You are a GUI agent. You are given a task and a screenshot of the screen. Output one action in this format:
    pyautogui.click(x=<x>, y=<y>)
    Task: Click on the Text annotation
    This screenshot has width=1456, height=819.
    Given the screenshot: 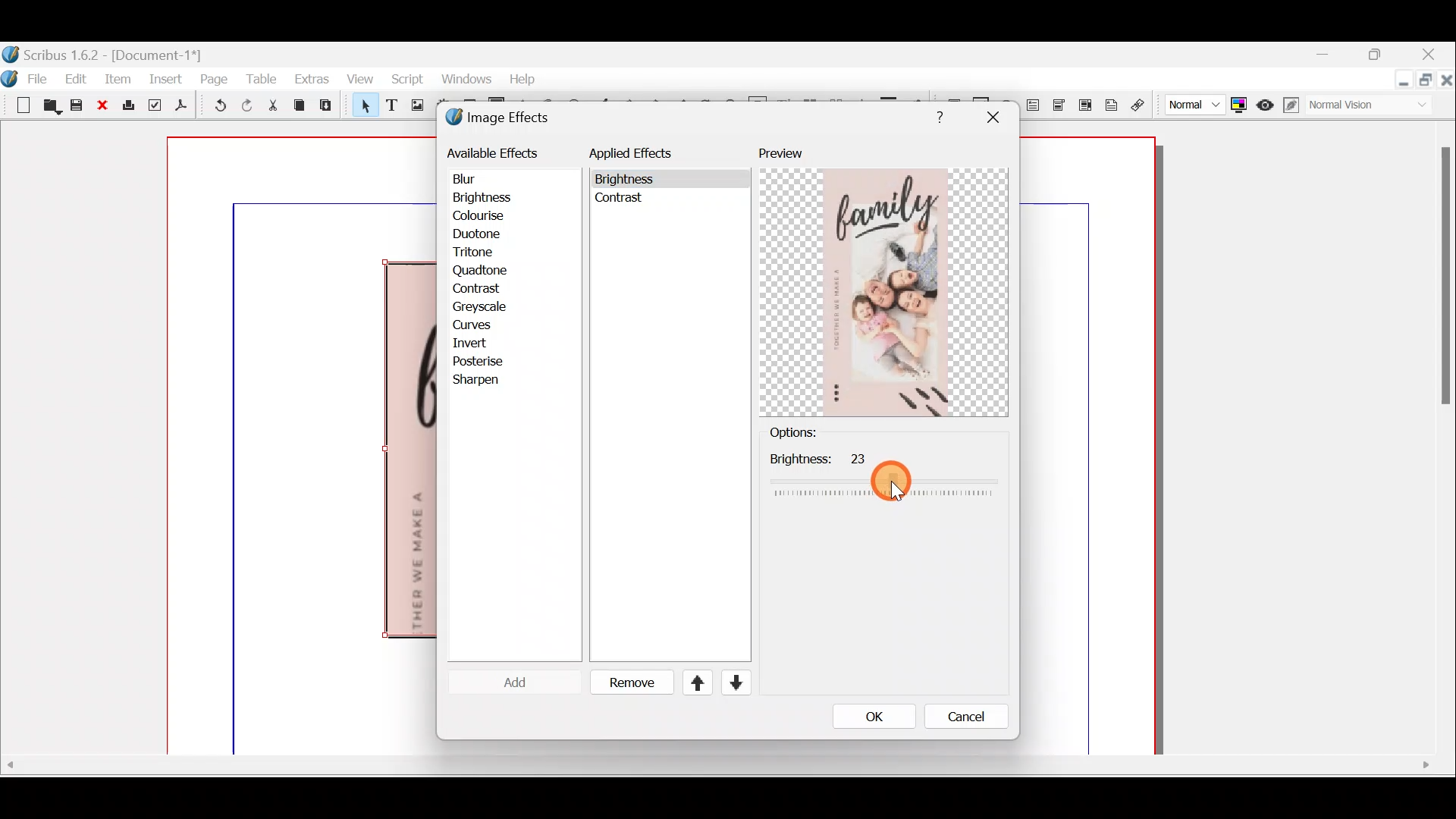 What is the action you would take?
    pyautogui.click(x=1110, y=103)
    